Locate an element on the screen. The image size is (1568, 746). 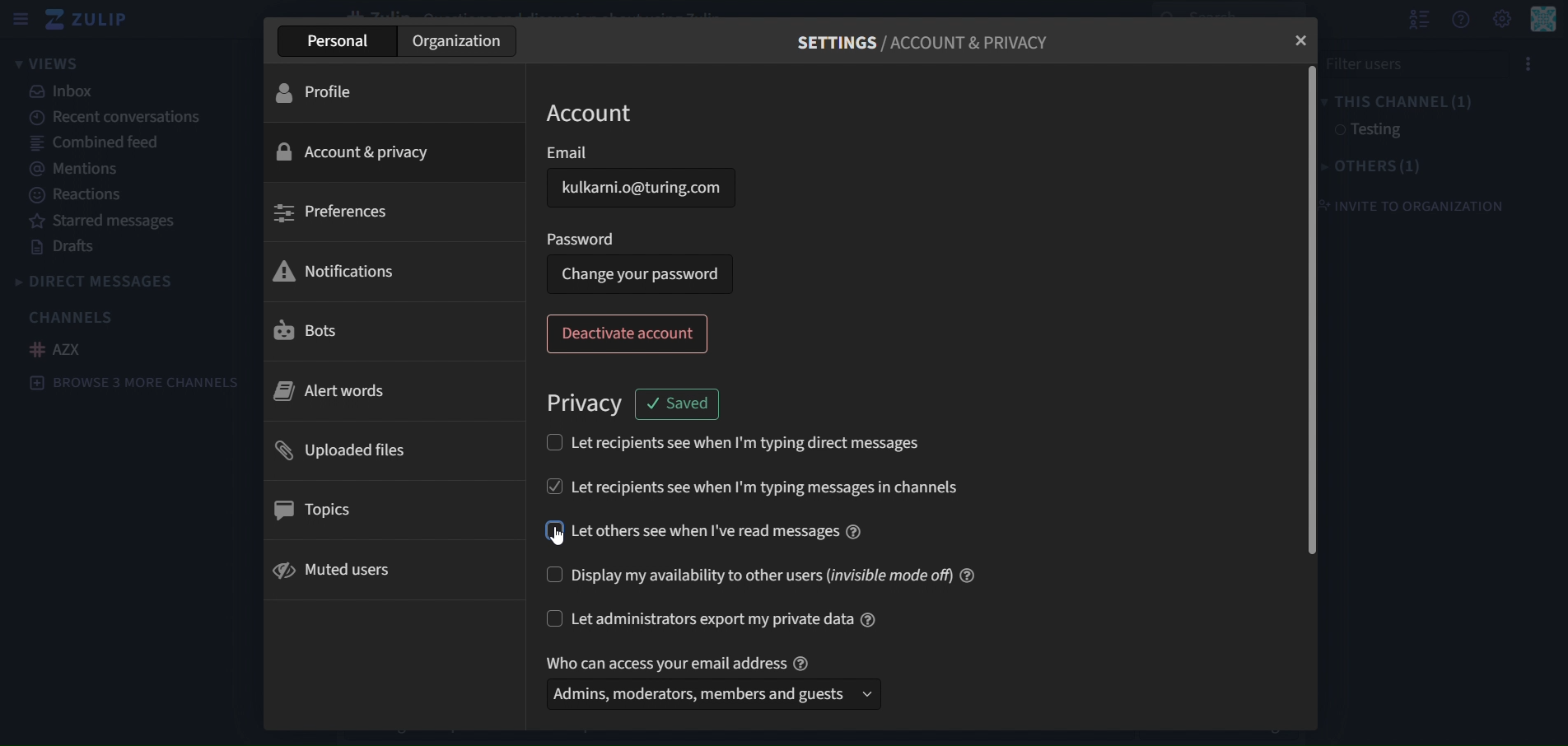
testing is located at coordinates (1366, 130).